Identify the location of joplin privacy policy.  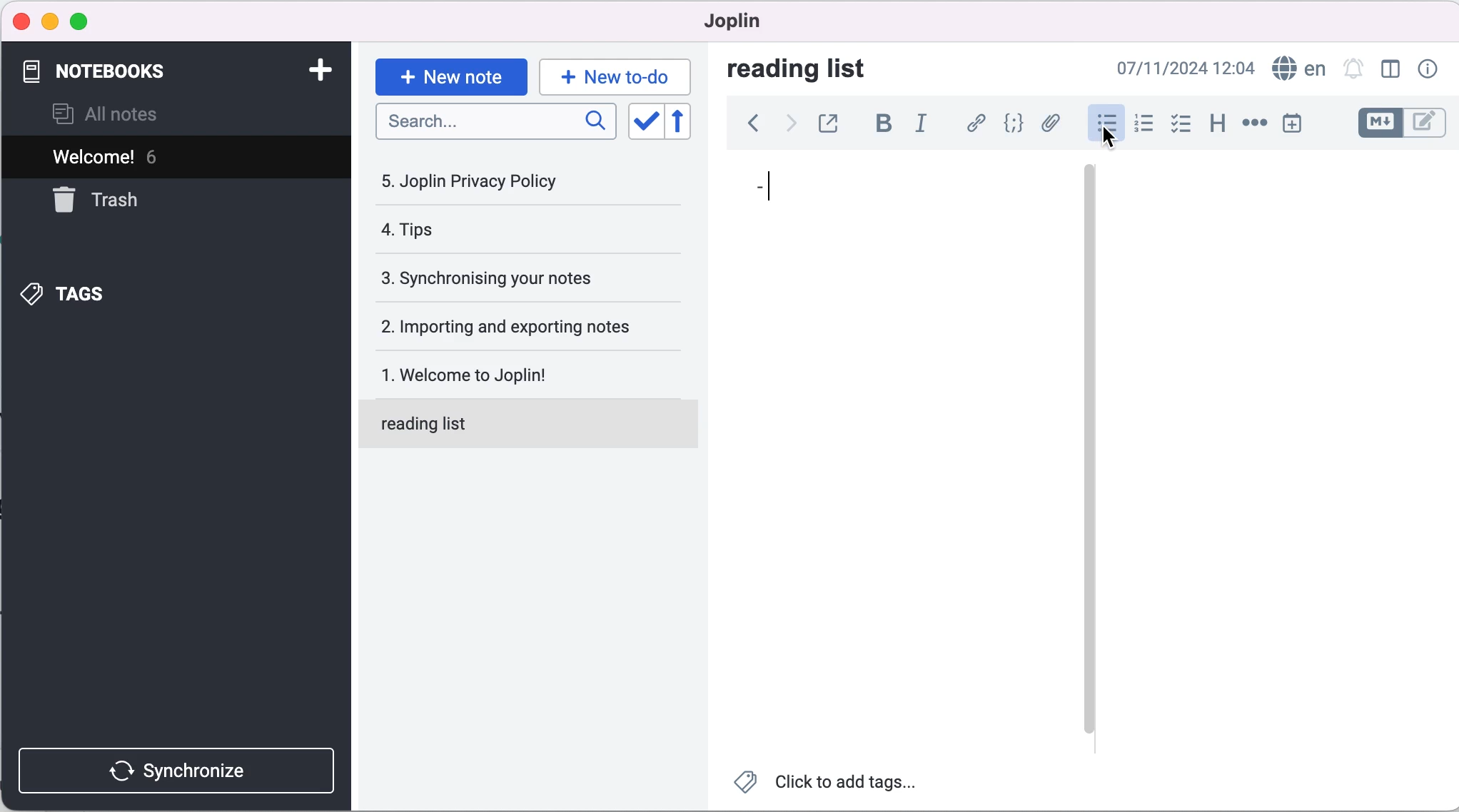
(499, 186).